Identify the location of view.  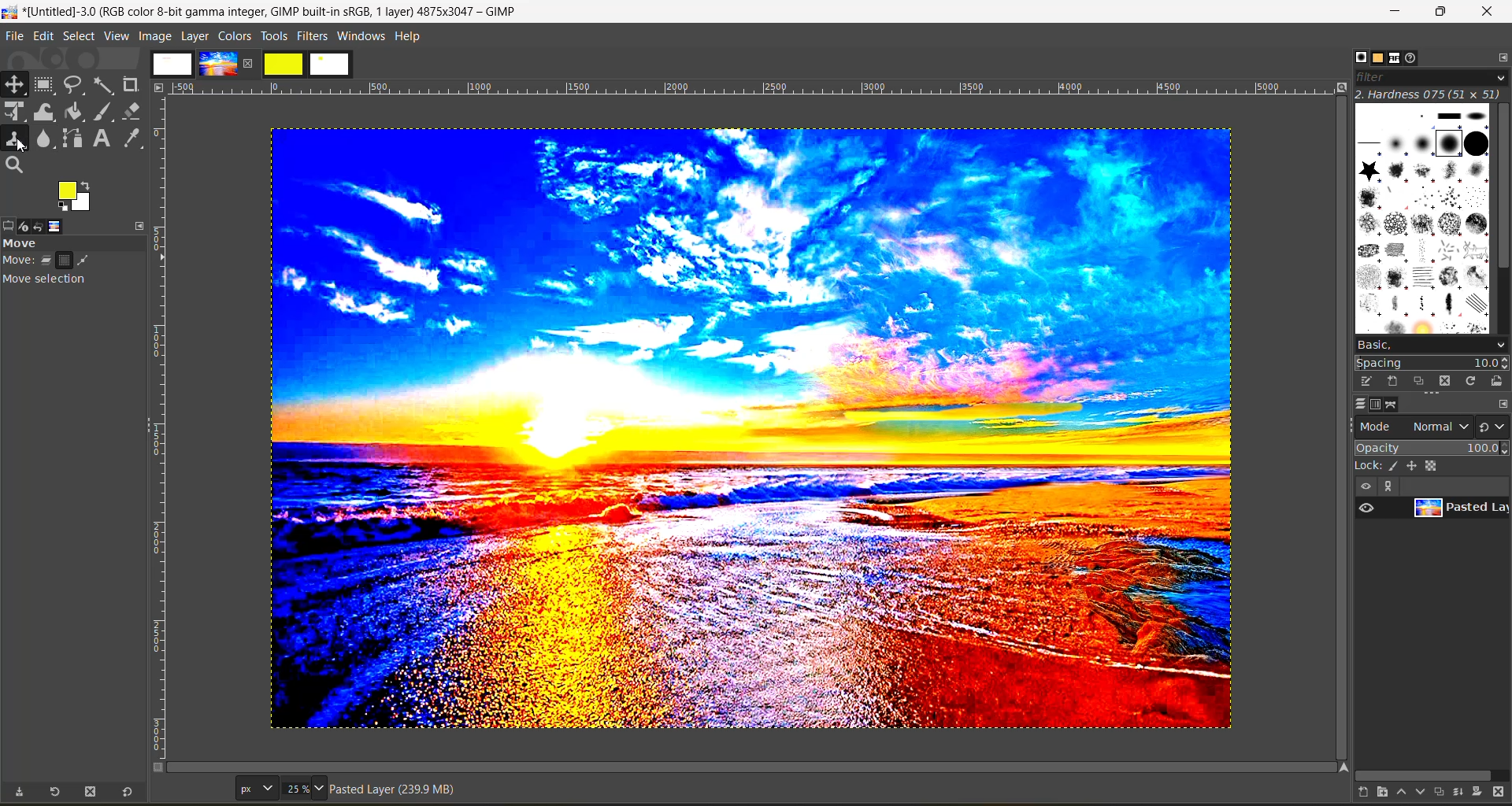
(117, 36).